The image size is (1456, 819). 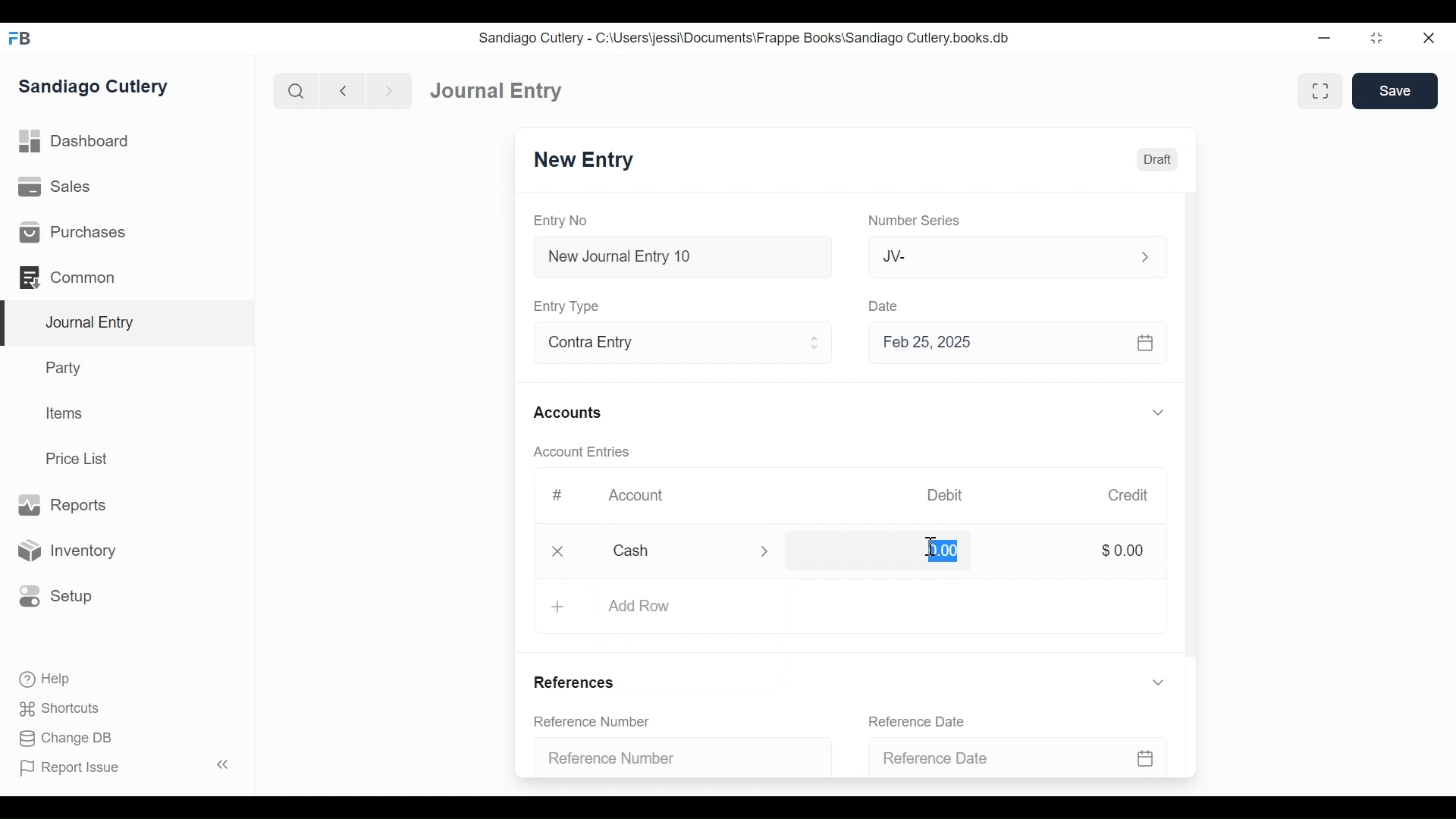 What do you see at coordinates (934, 548) in the screenshot?
I see `cursor` at bounding box center [934, 548].